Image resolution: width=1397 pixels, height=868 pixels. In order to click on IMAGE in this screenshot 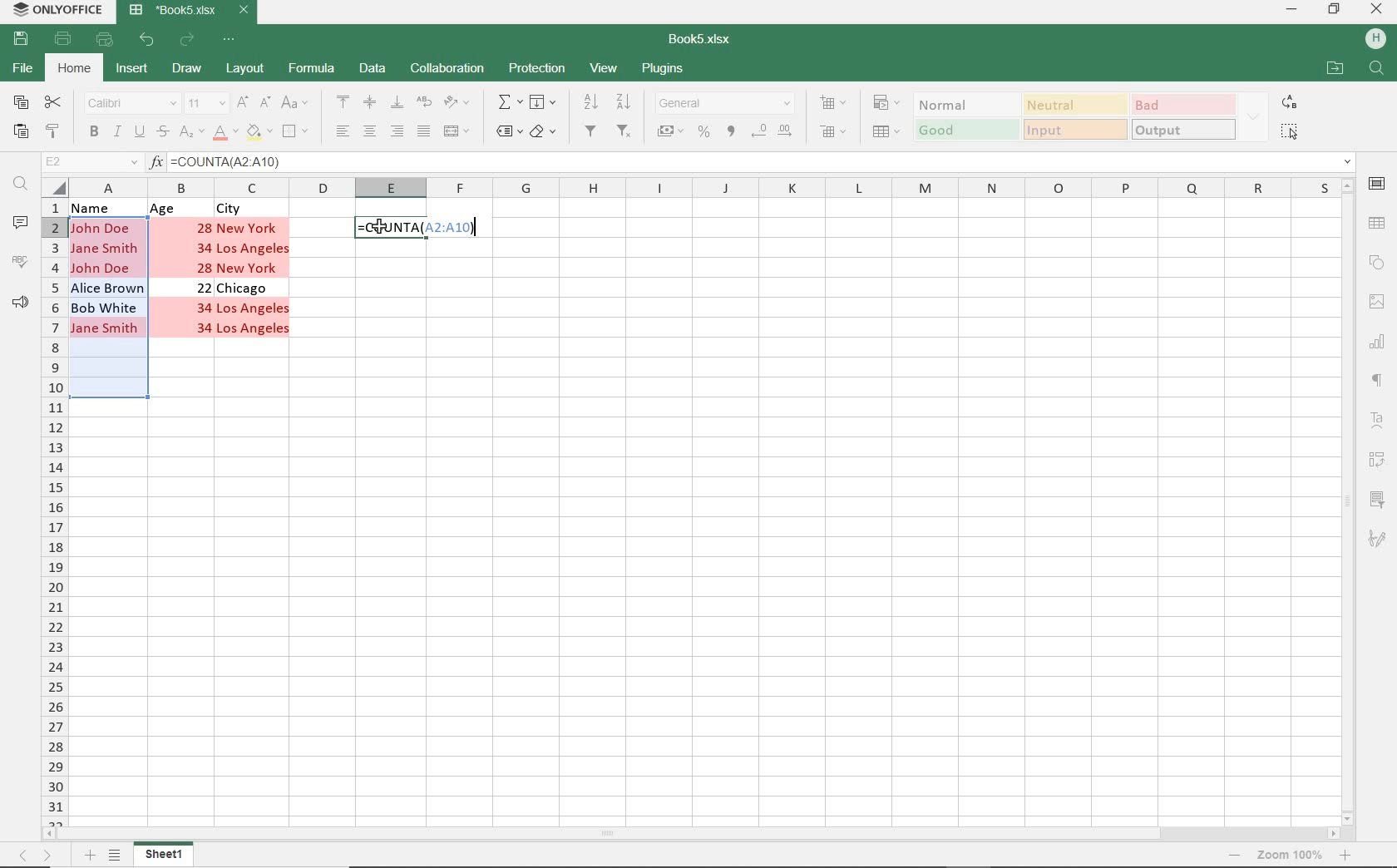, I will do `click(1375, 298)`.